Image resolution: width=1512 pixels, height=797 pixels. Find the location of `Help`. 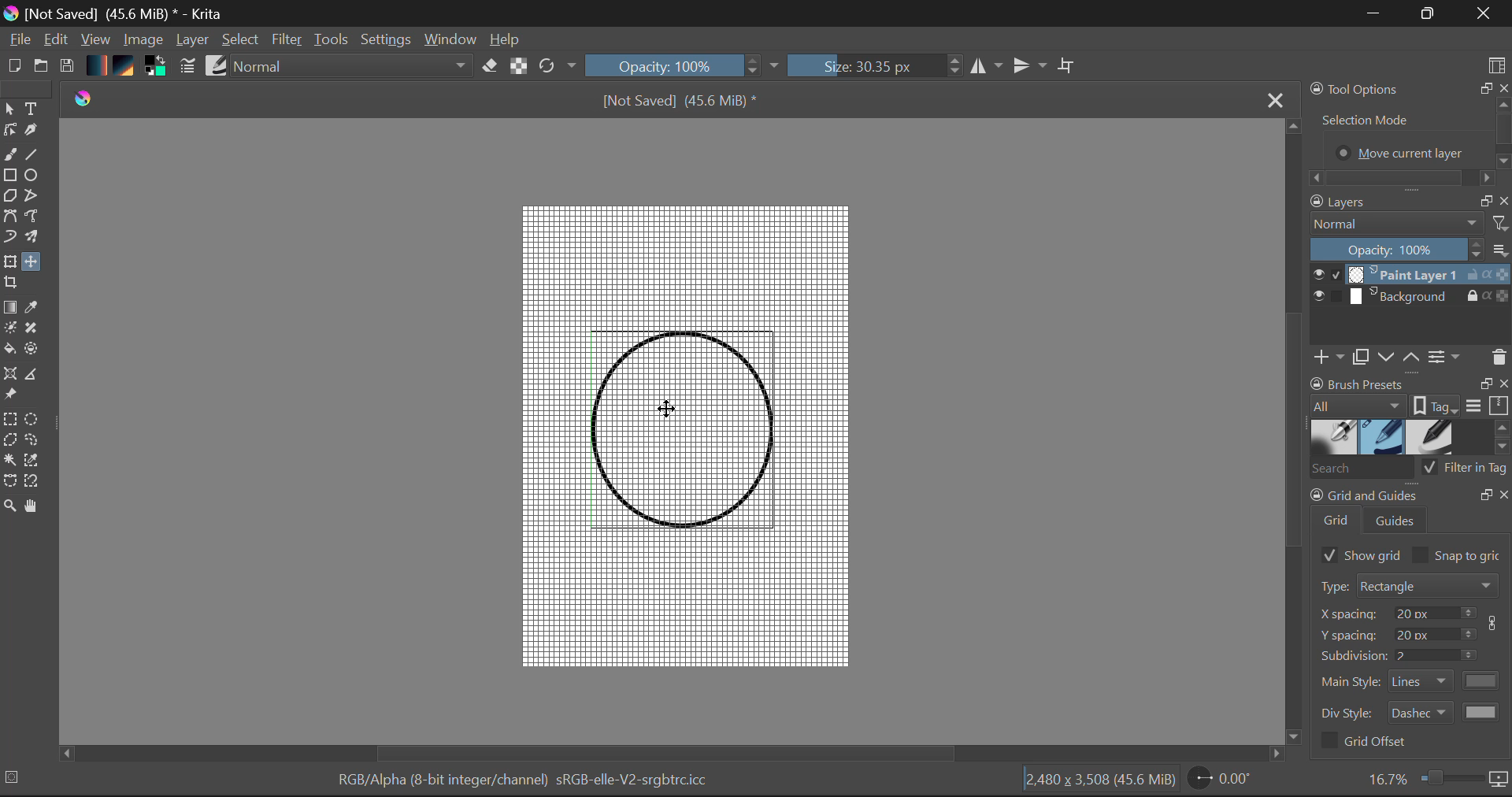

Help is located at coordinates (509, 39).